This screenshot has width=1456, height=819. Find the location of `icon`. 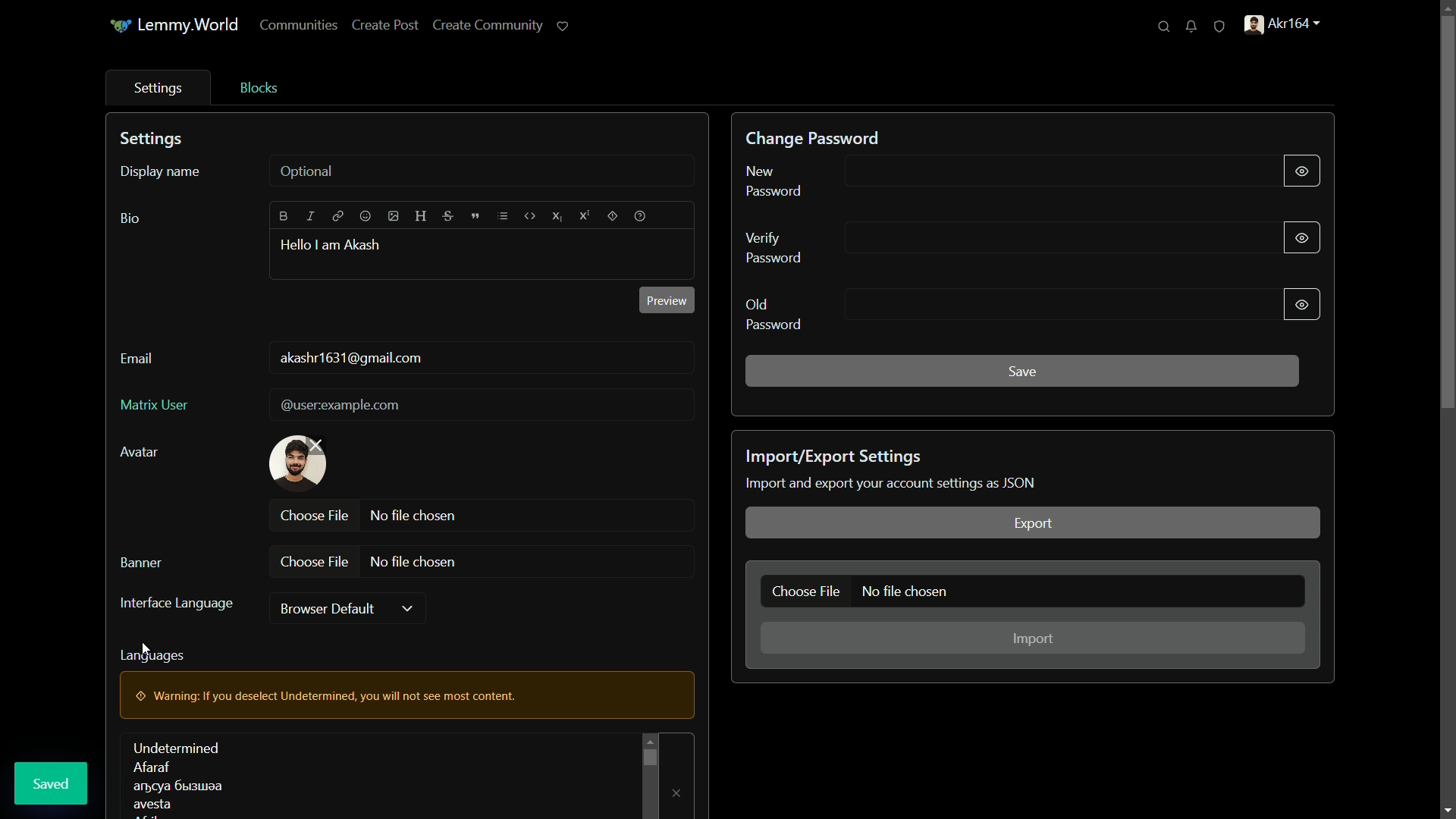

icon is located at coordinates (120, 26).